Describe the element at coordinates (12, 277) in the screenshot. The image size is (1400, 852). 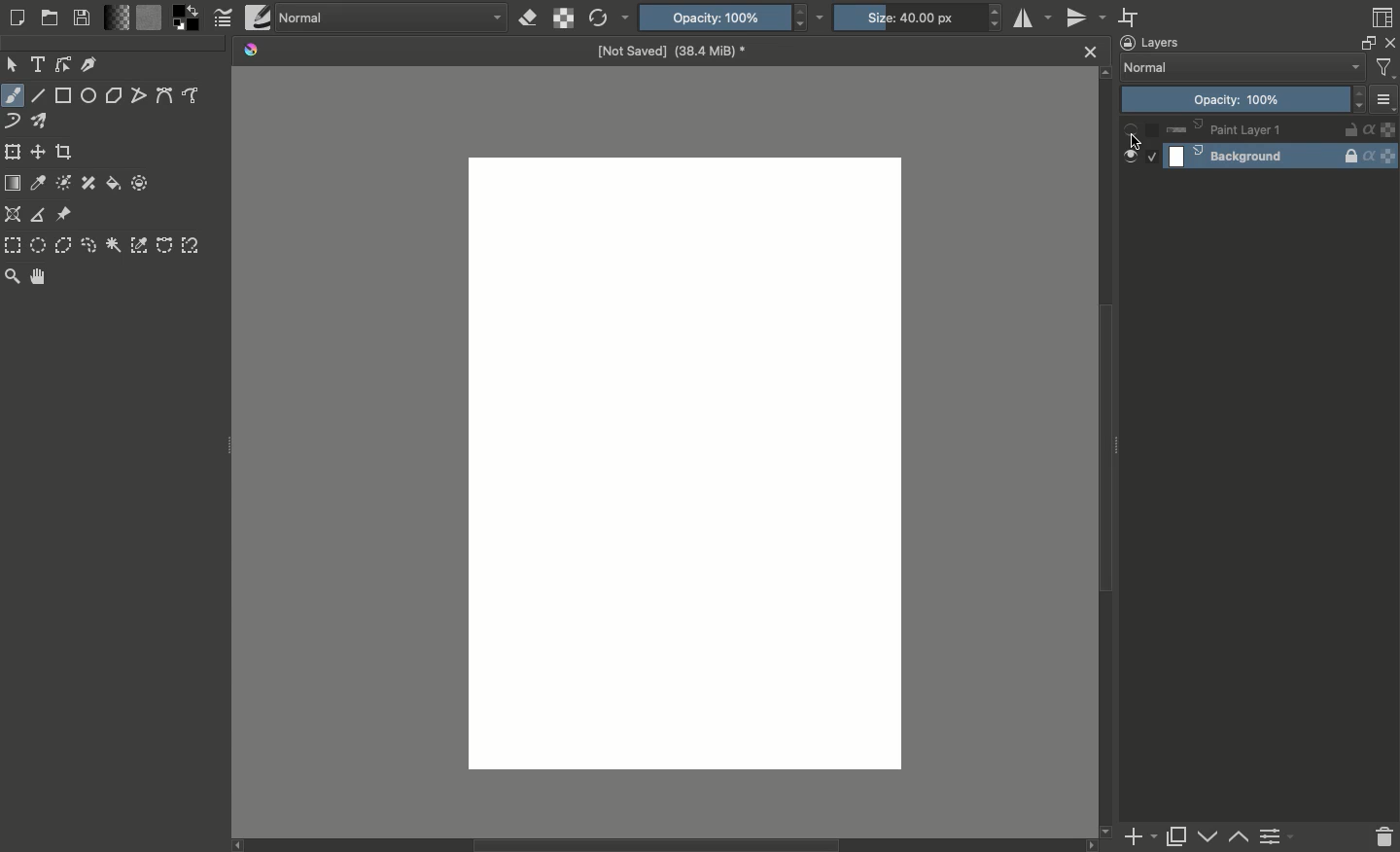
I see `Zoom` at that location.